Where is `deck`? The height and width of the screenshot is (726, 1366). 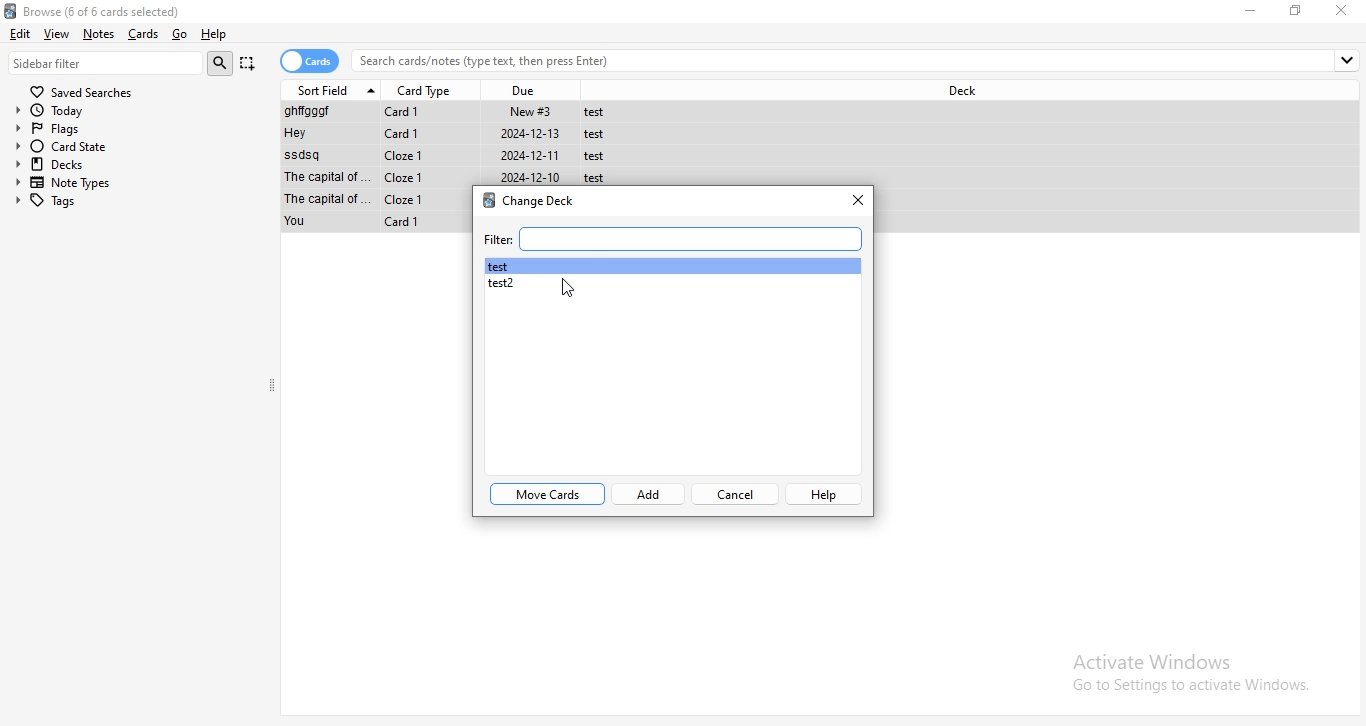
deck is located at coordinates (962, 91).